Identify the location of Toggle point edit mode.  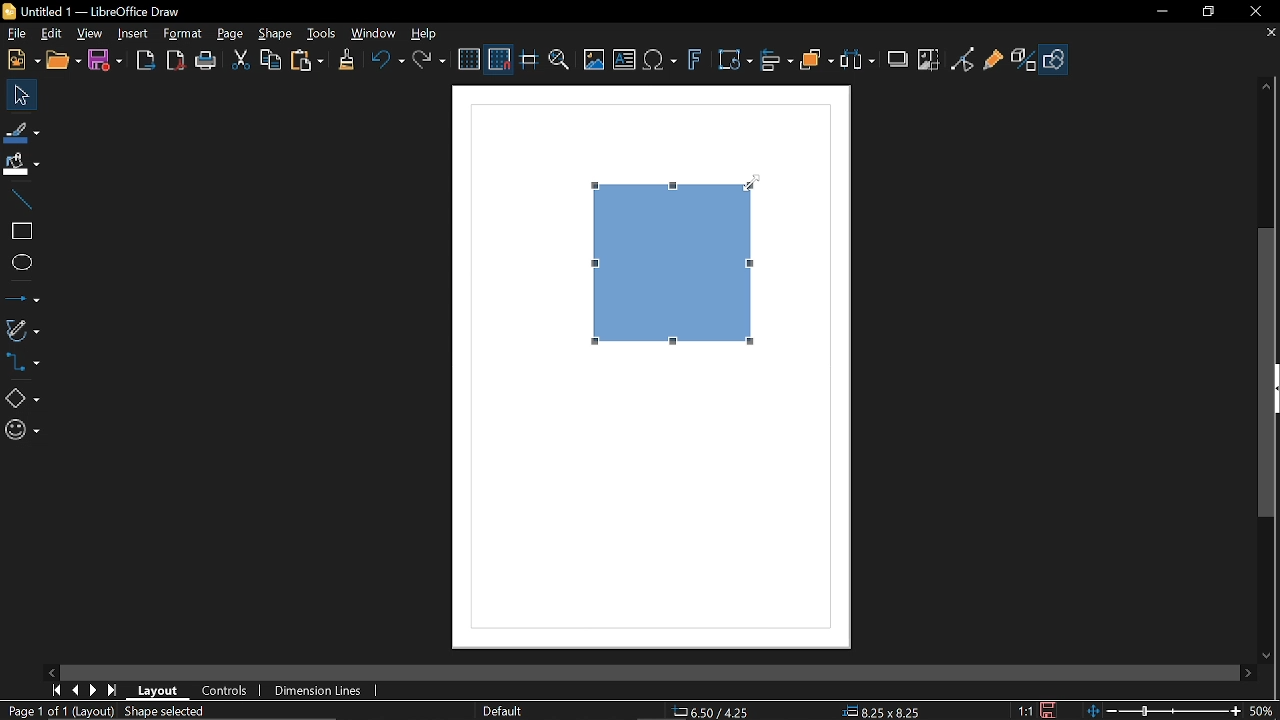
(962, 61).